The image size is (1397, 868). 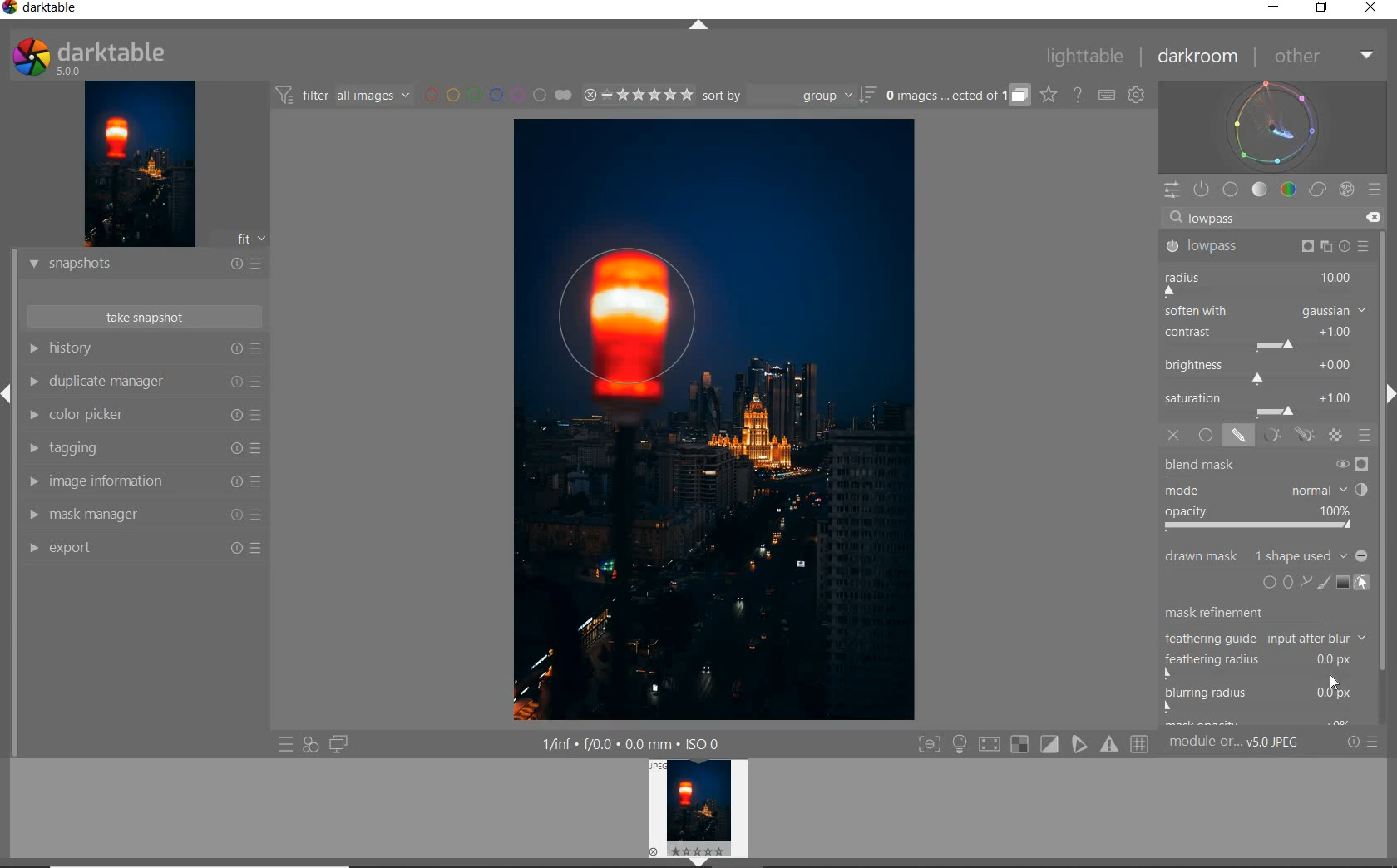 I want to click on RANGE RATING OF SELECTED IMAGES, so click(x=635, y=96).